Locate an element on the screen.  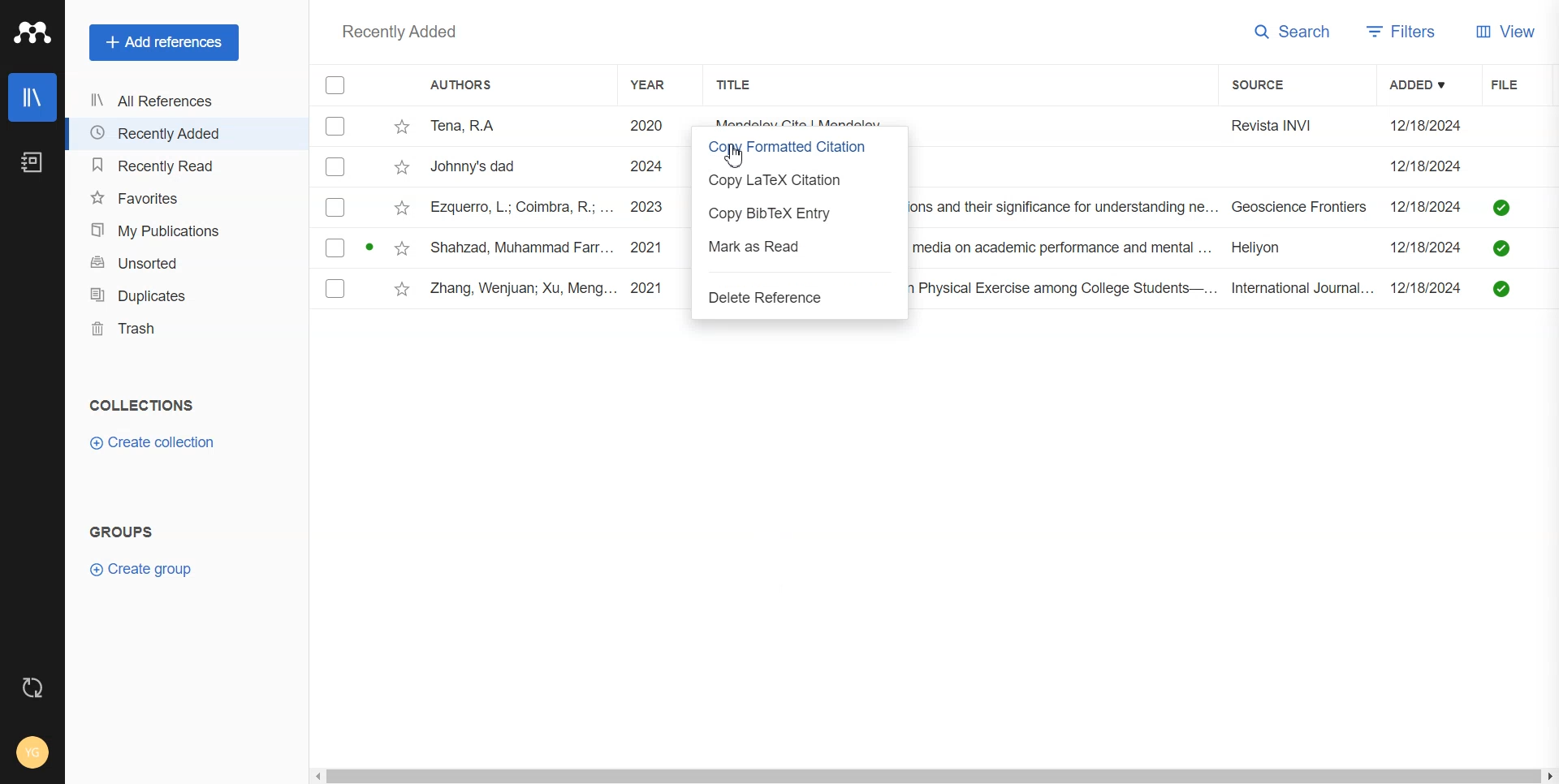
Auto sync is located at coordinates (33, 687).